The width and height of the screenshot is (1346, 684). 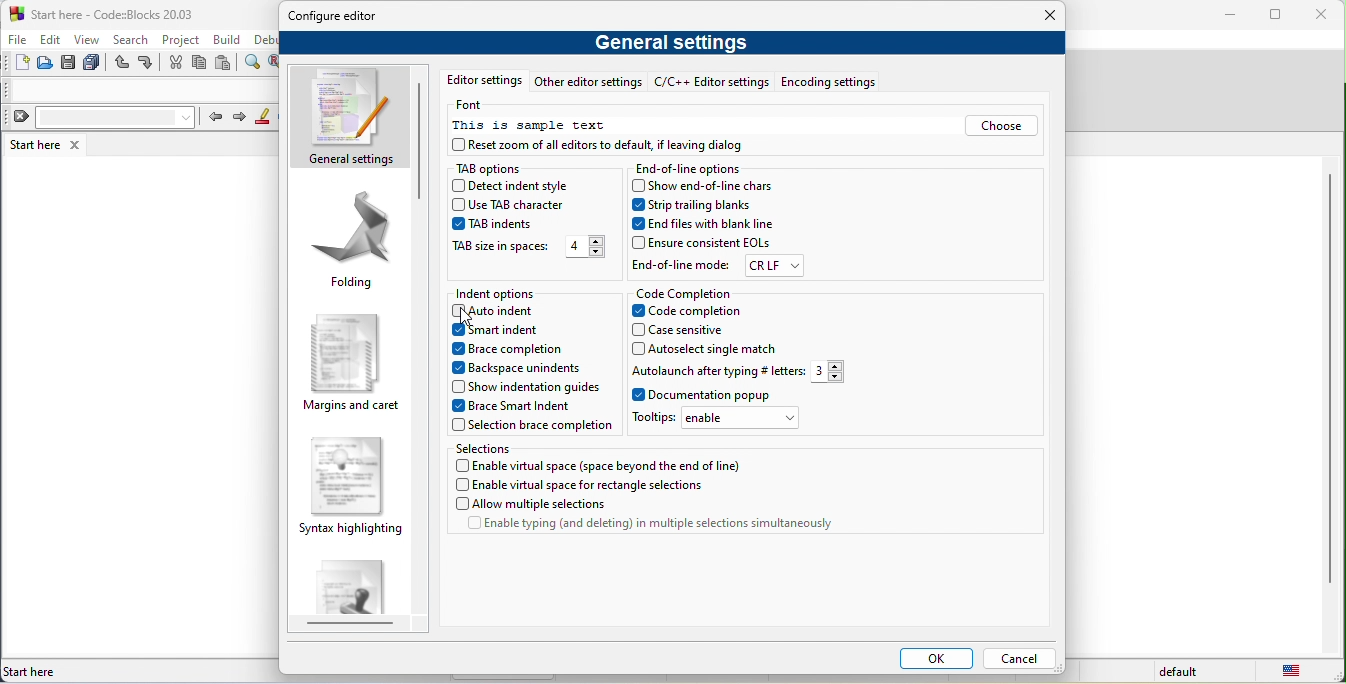 What do you see at coordinates (530, 248) in the screenshot?
I see `tab size in spaces 4` at bounding box center [530, 248].